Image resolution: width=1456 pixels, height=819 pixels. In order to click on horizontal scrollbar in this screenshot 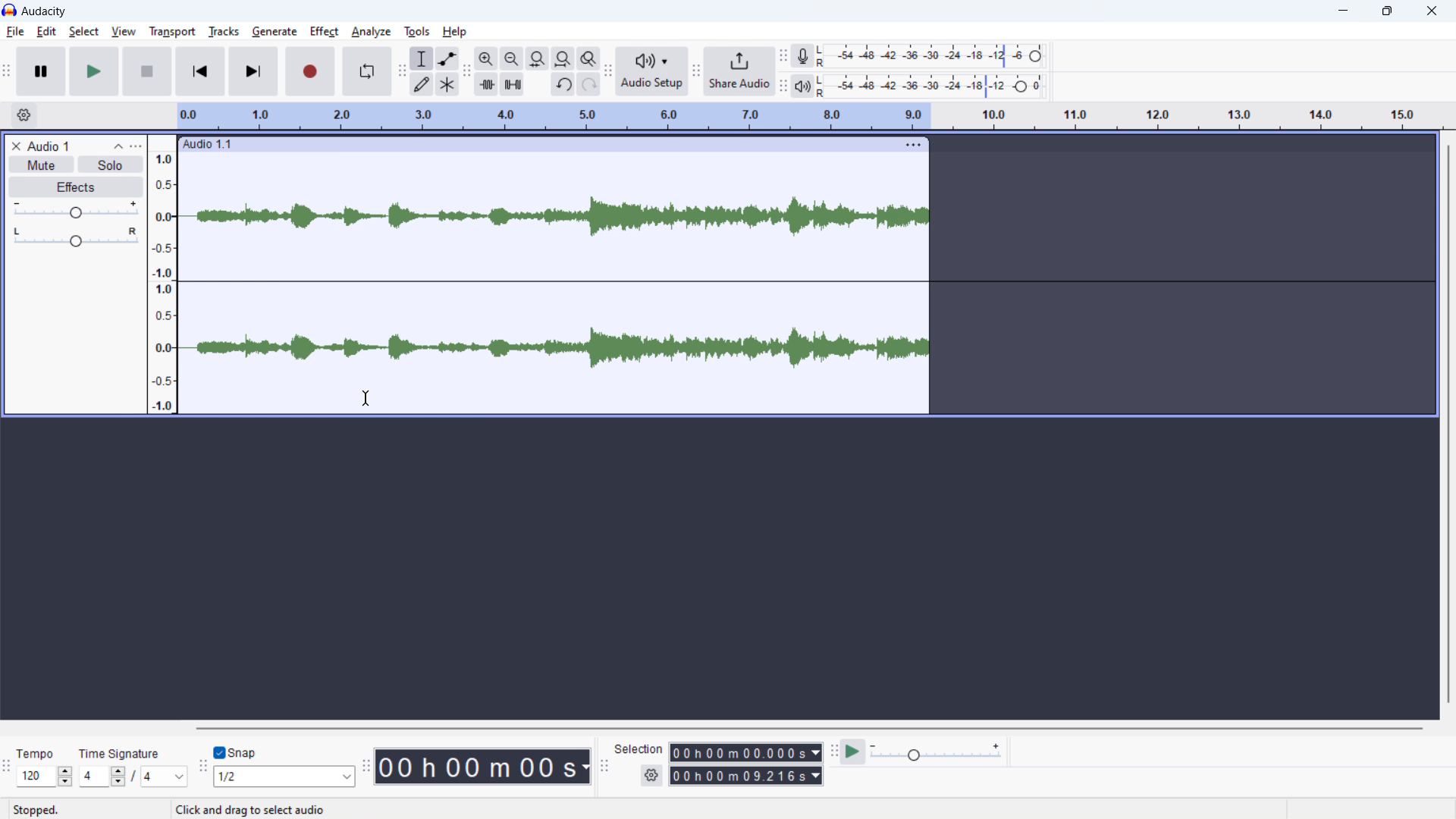, I will do `click(807, 728)`.